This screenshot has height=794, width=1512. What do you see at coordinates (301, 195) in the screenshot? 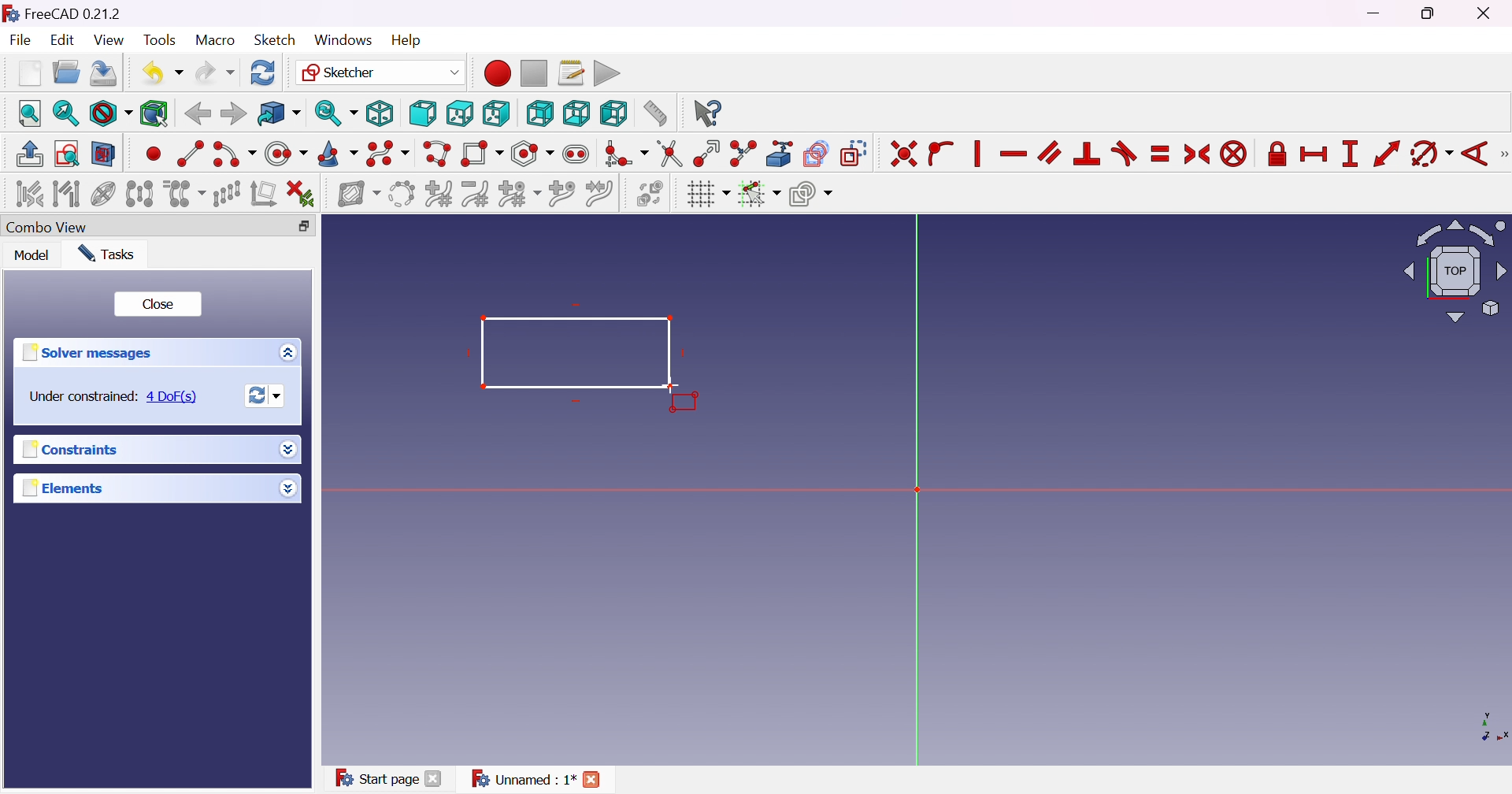
I see `Delete all constraints` at bounding box center [301, 195].